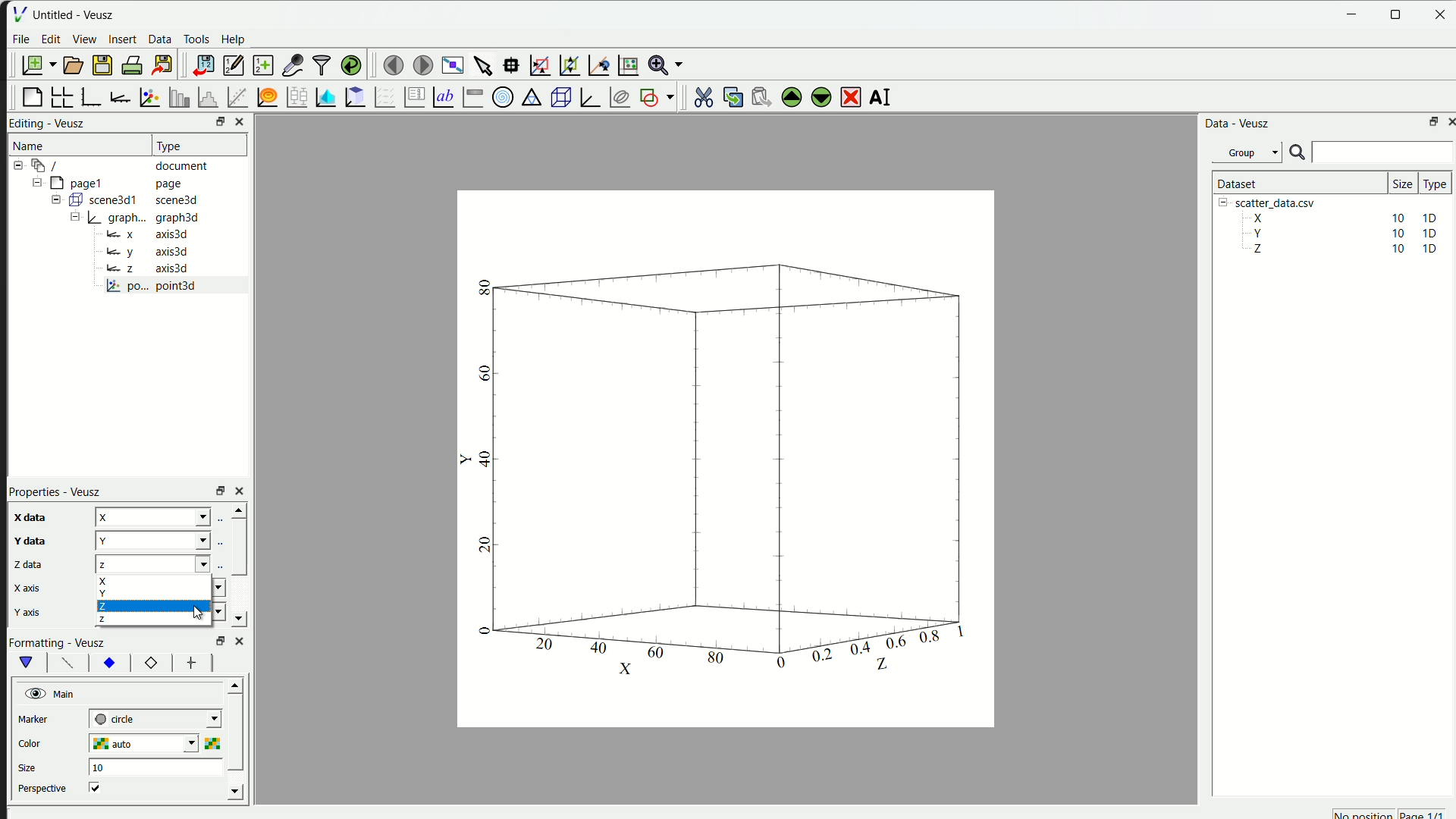  What do you see at coordinates (132, 65) in the screenshot?
I see `print document` at bounding box center [132, 65].